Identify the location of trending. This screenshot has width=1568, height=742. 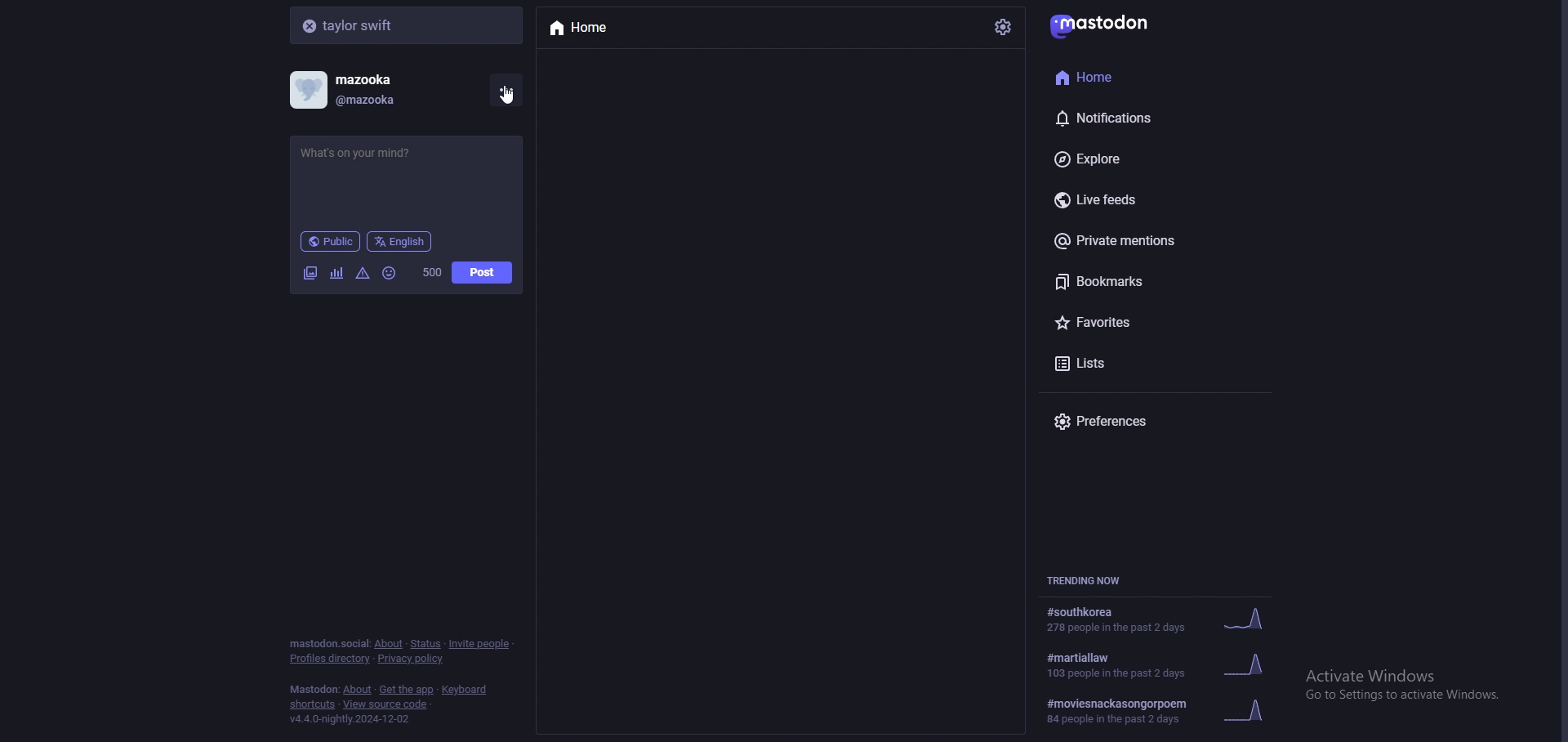
(1158, 665).